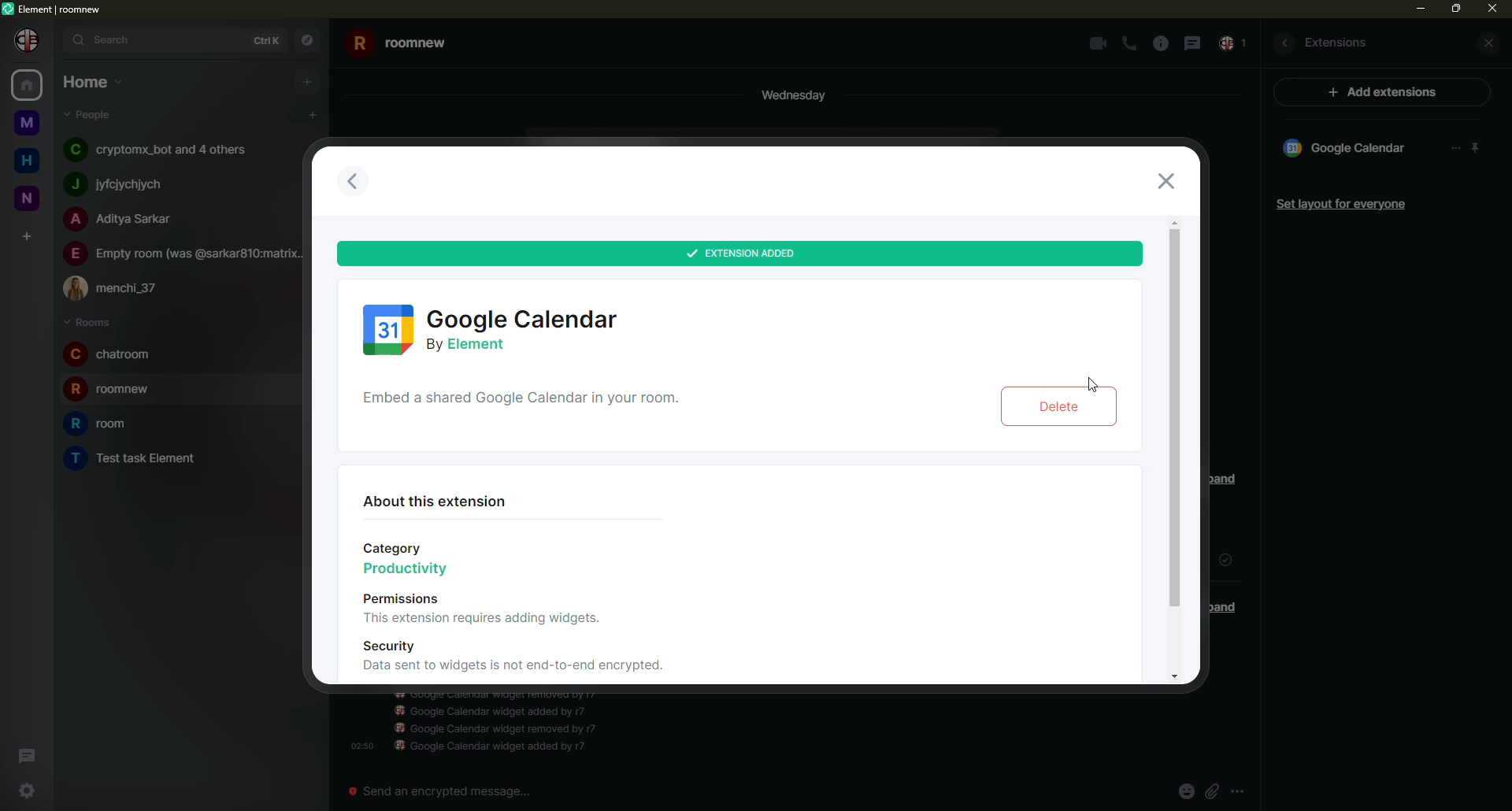 The height and width of the screenshot is (811, 1512). I want to click on search, so click(106, 42).